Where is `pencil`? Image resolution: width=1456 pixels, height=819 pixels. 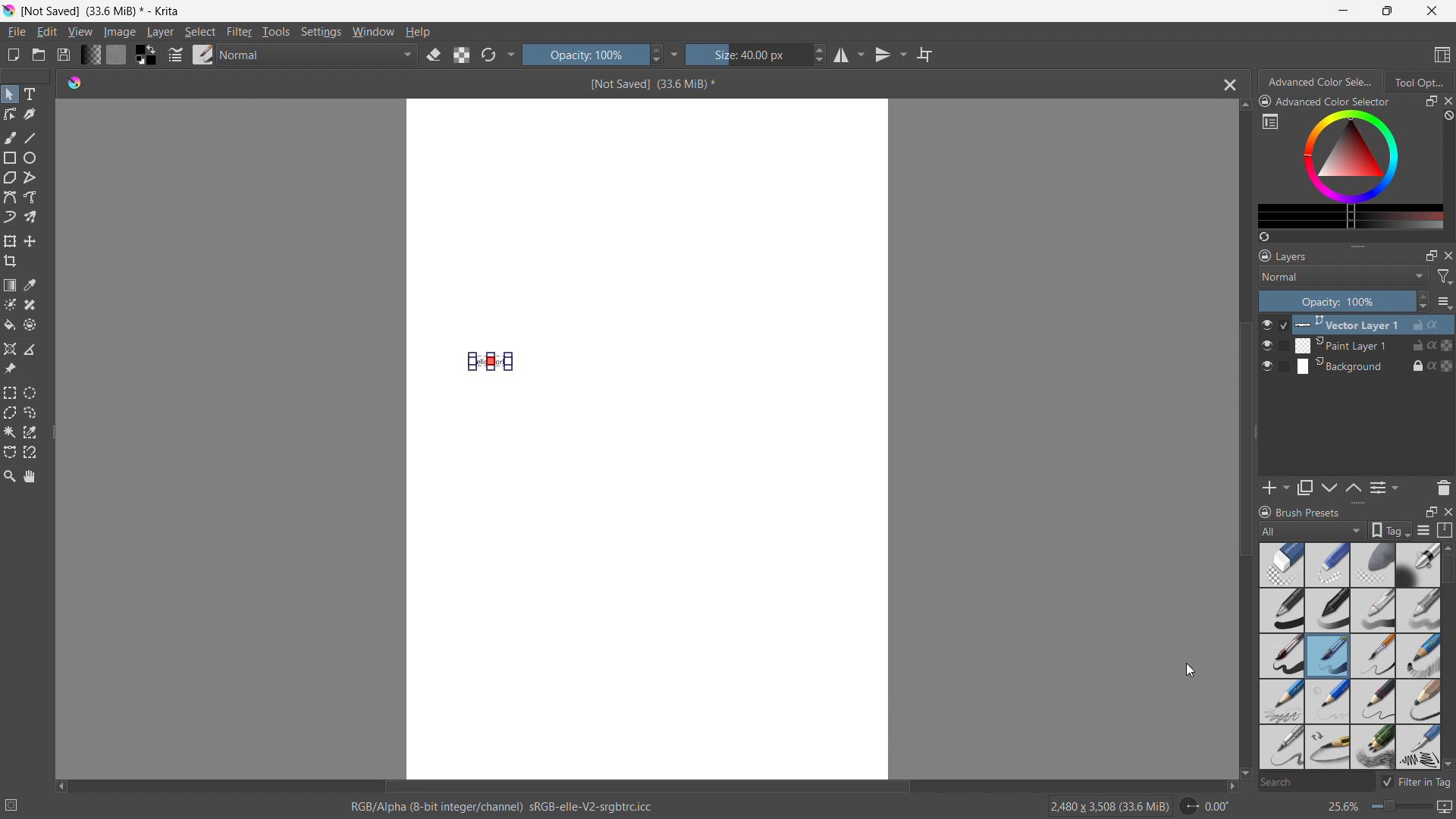 pencil is located at coordinates (1373, 610).